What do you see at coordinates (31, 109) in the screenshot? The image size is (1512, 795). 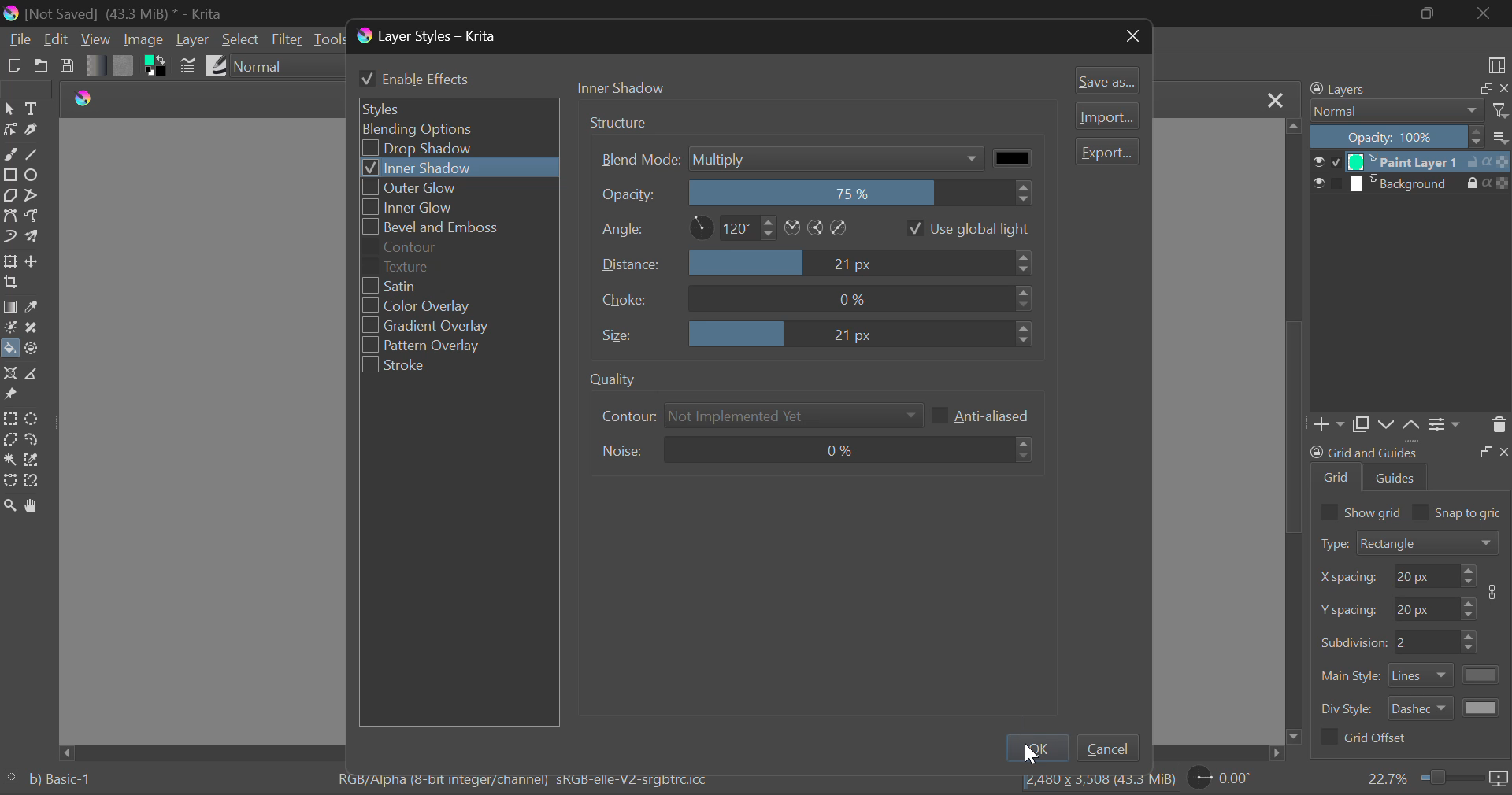 I see `Text` at bounding box center [31, 109].